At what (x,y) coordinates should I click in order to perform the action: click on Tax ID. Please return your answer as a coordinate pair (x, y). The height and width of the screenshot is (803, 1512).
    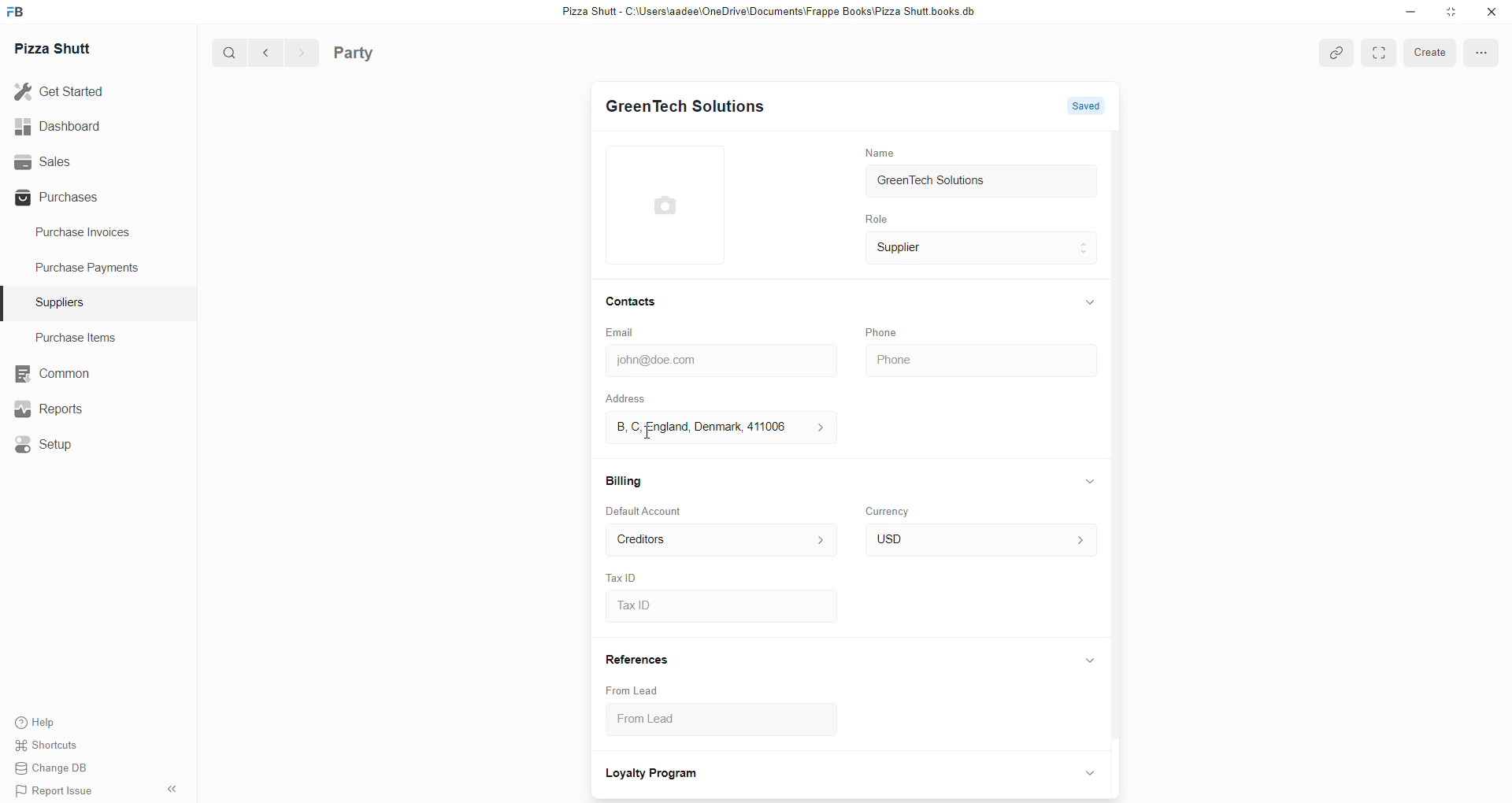
    Looking at the image, I should click on (622, 575).